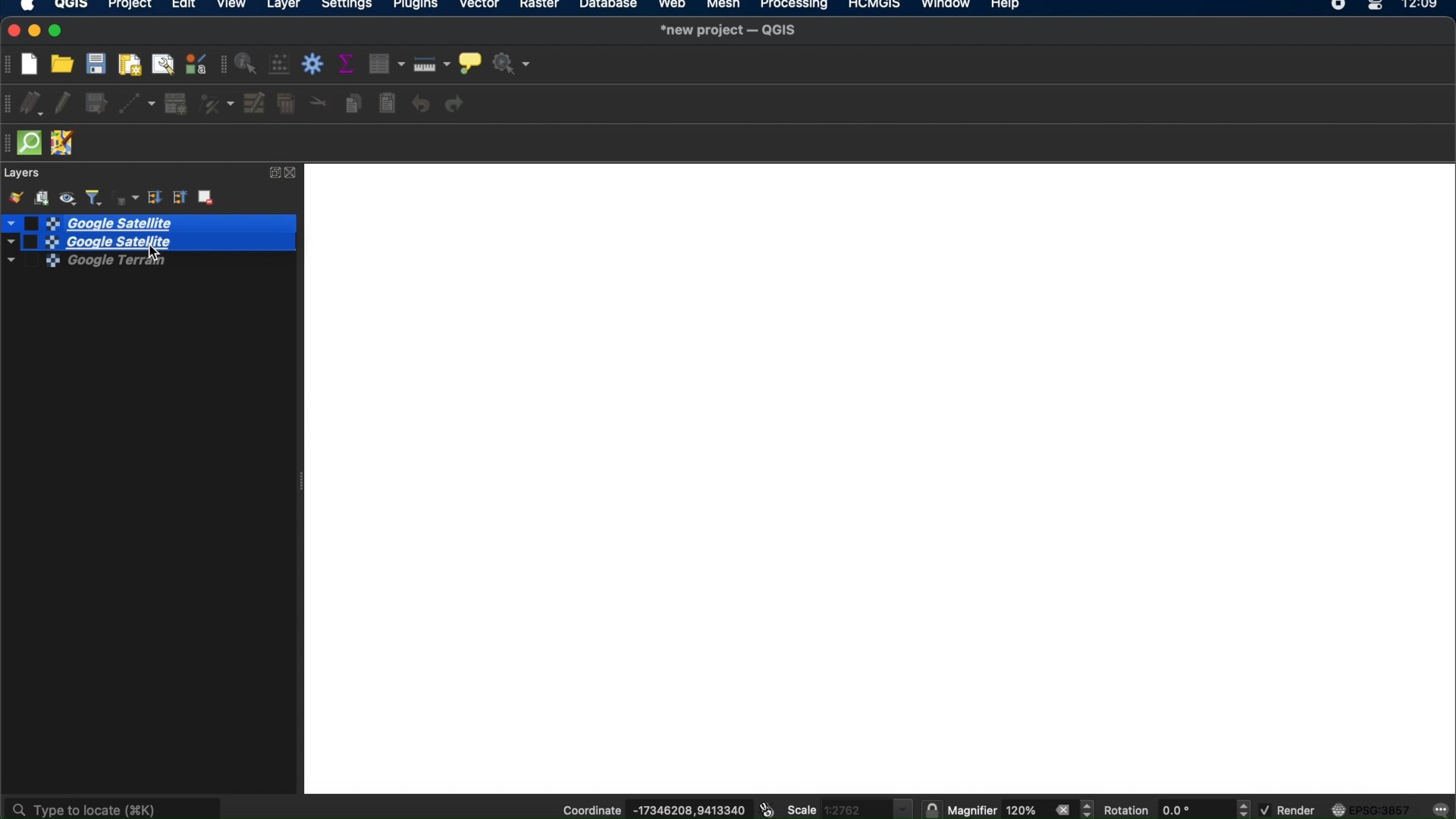  I want to click on no action selected, so click(511, 64).